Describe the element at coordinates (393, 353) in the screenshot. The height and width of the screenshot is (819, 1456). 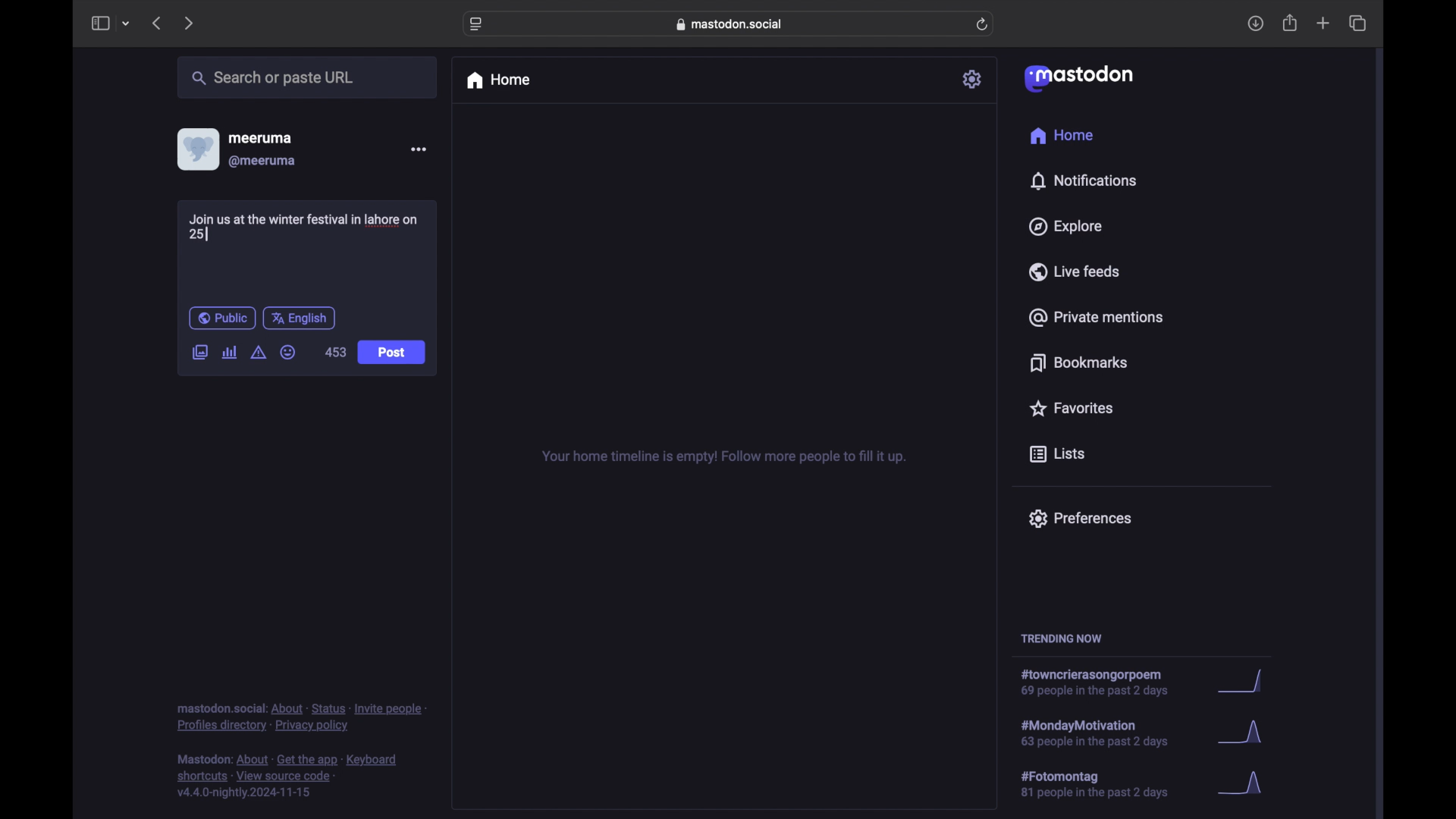
I see `Post` at that location.